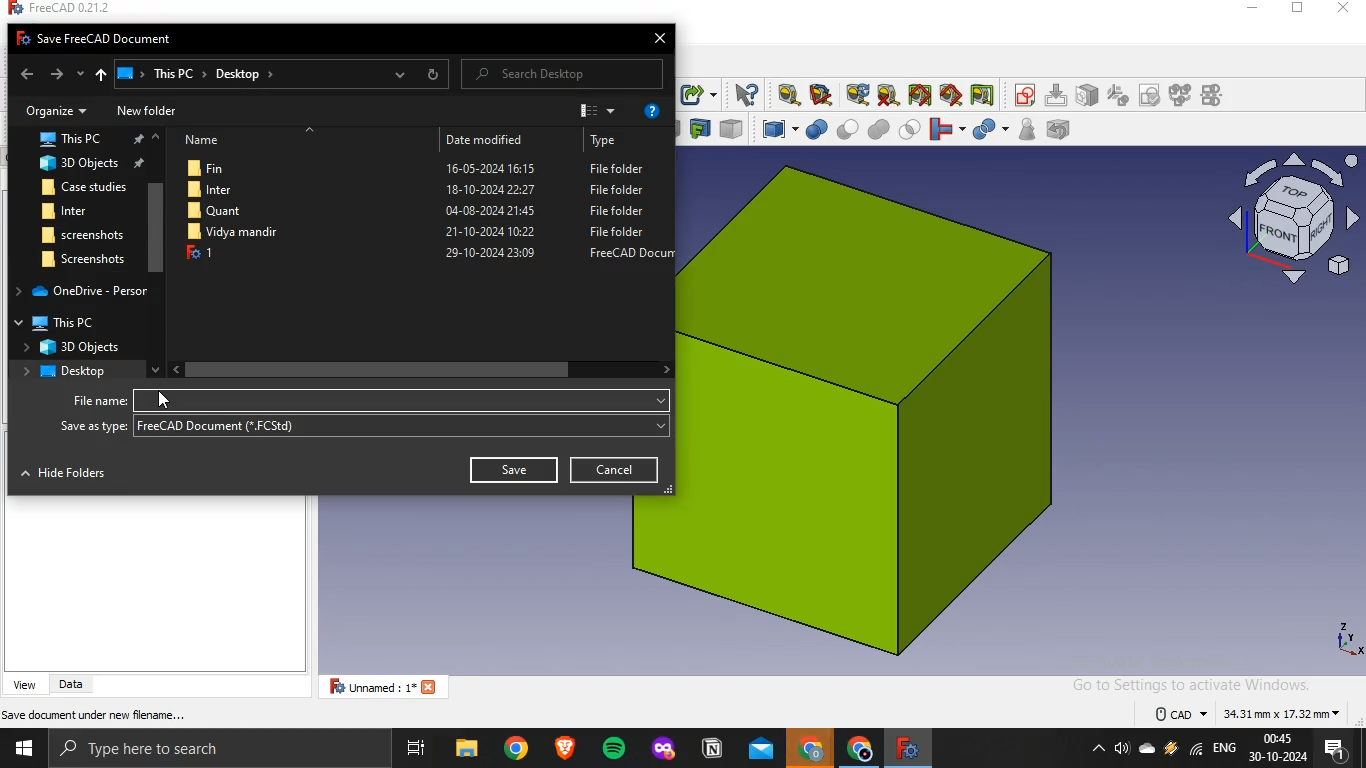 This screenshot has height=768, width=1366. Describe the element at coordinates (809, 748) in the screenshot. I see `google crome` at that location.